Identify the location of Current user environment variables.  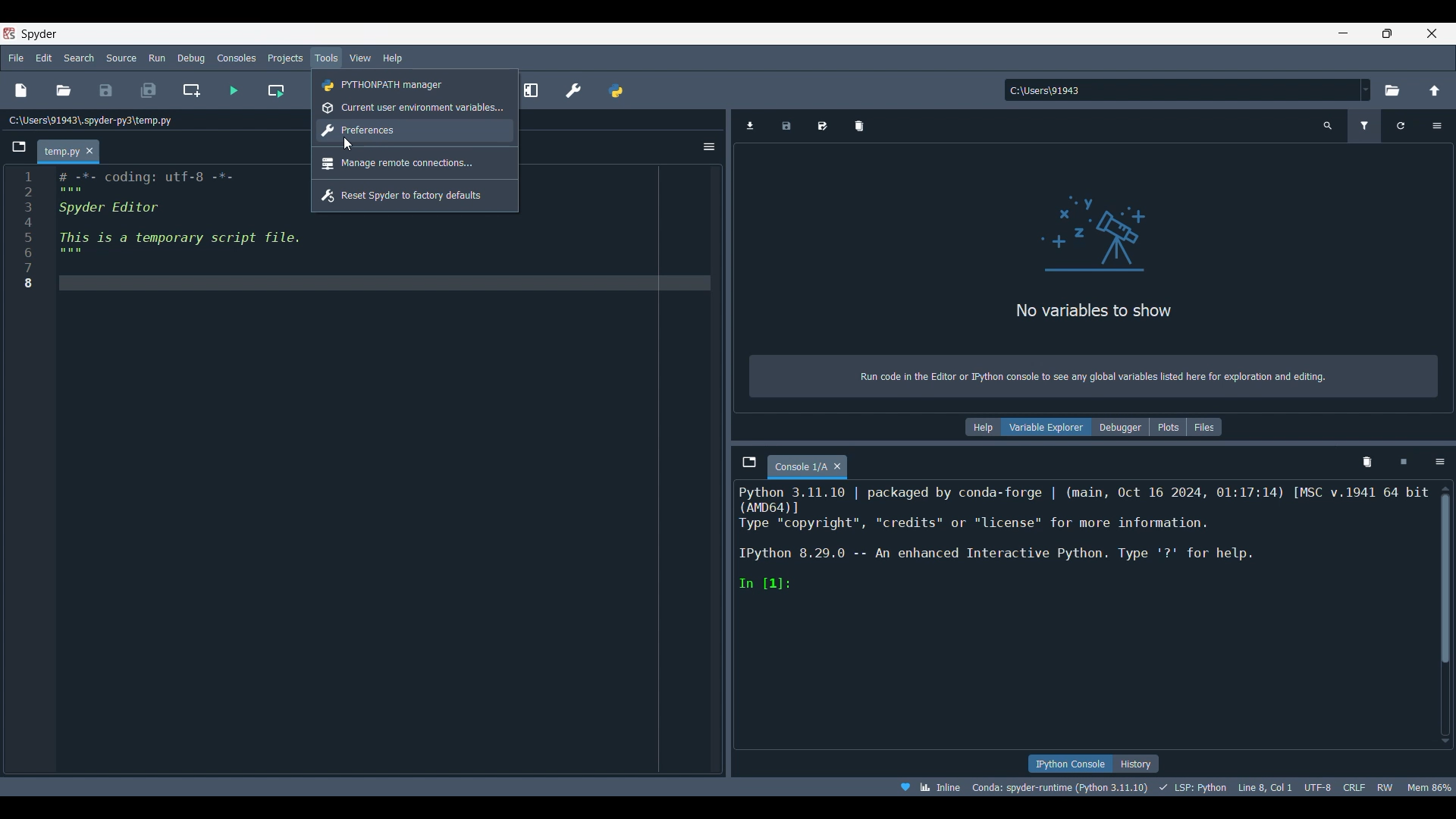
(416, 108).